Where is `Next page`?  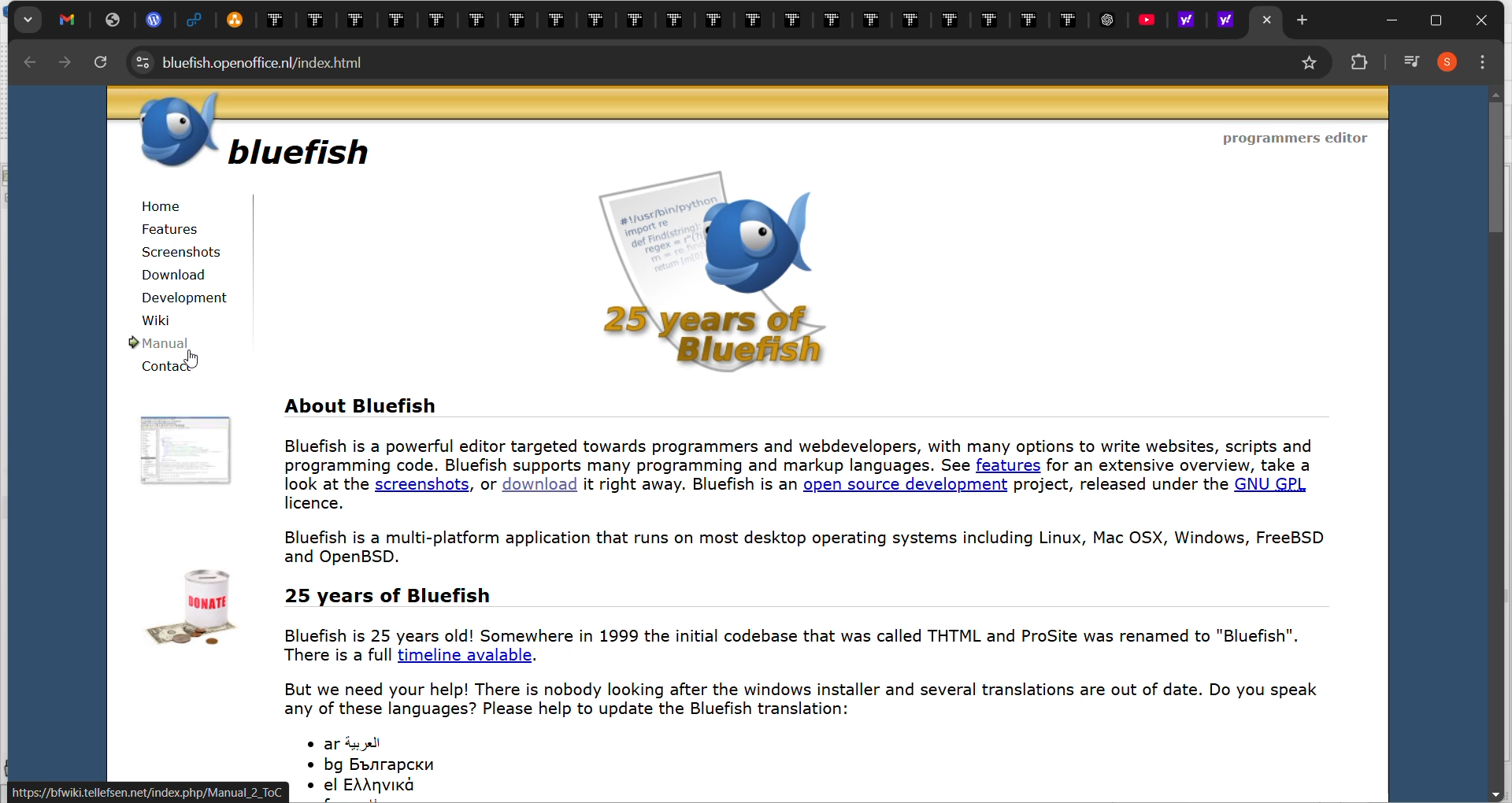
Next page is located at coordinates (71, 65).